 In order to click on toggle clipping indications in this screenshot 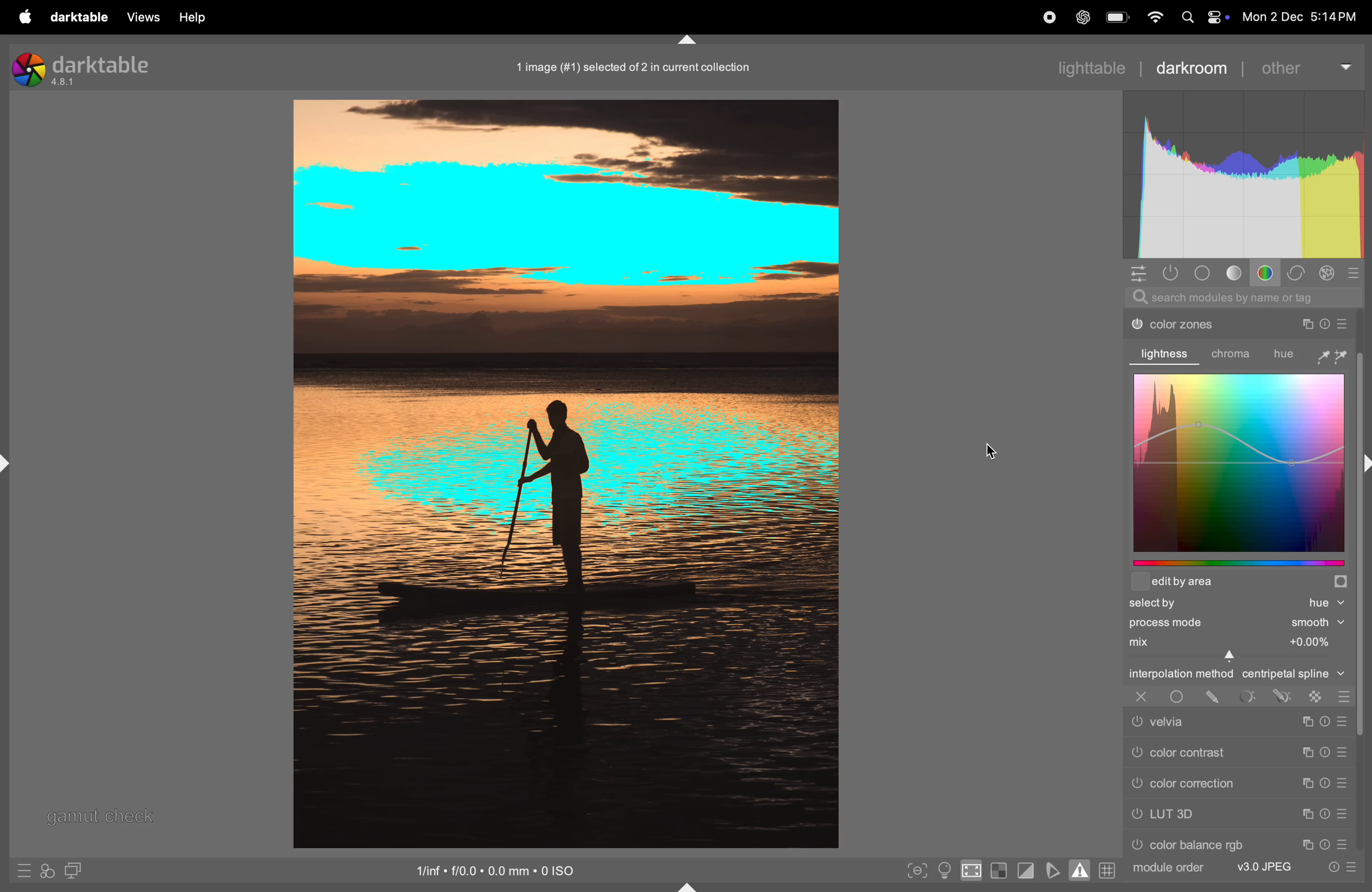, I will do `click(1028, 871)`.